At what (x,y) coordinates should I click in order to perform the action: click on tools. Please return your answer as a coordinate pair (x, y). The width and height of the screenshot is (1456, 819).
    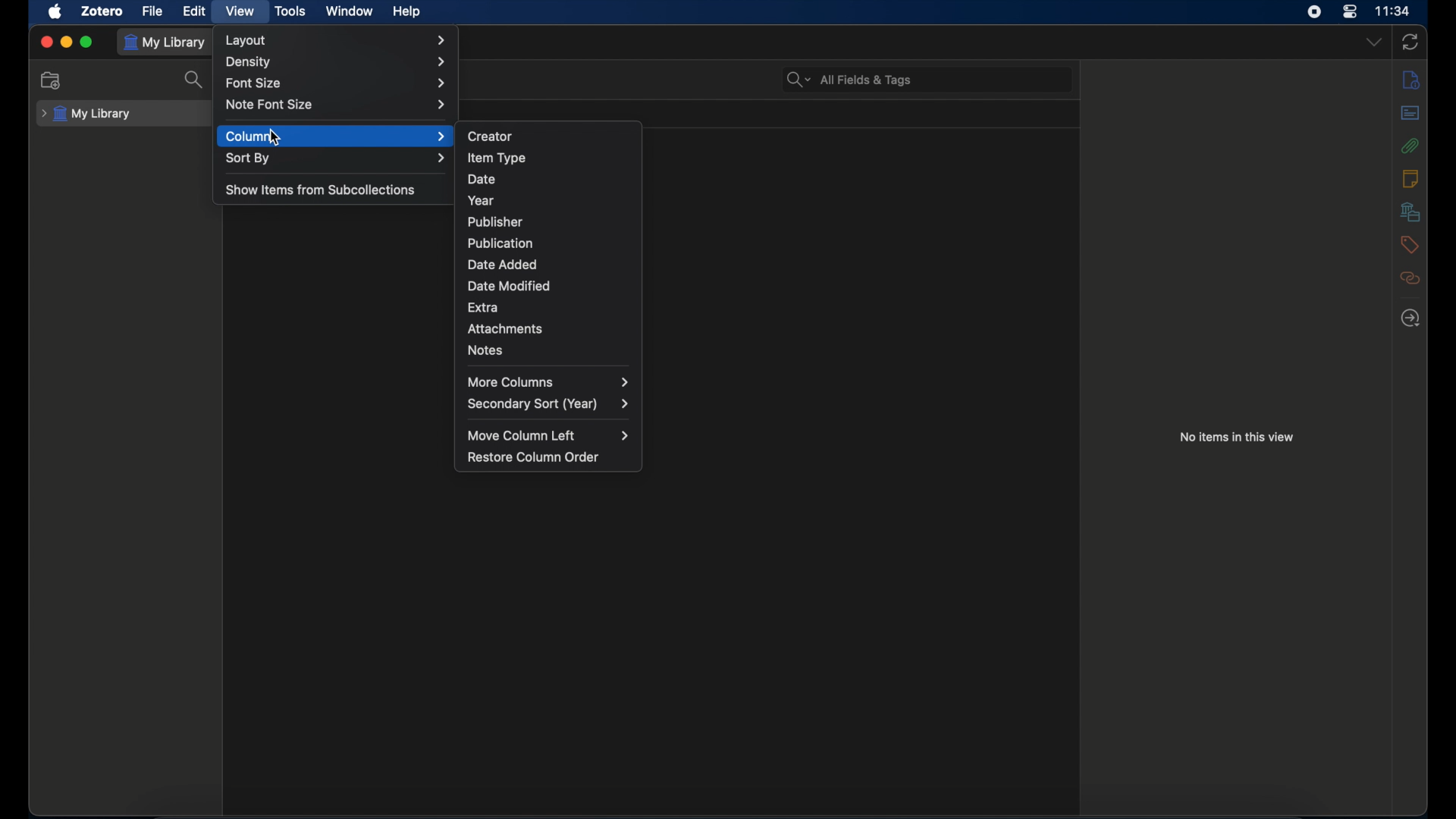
    Looking at the image, I should click on (292, 11).